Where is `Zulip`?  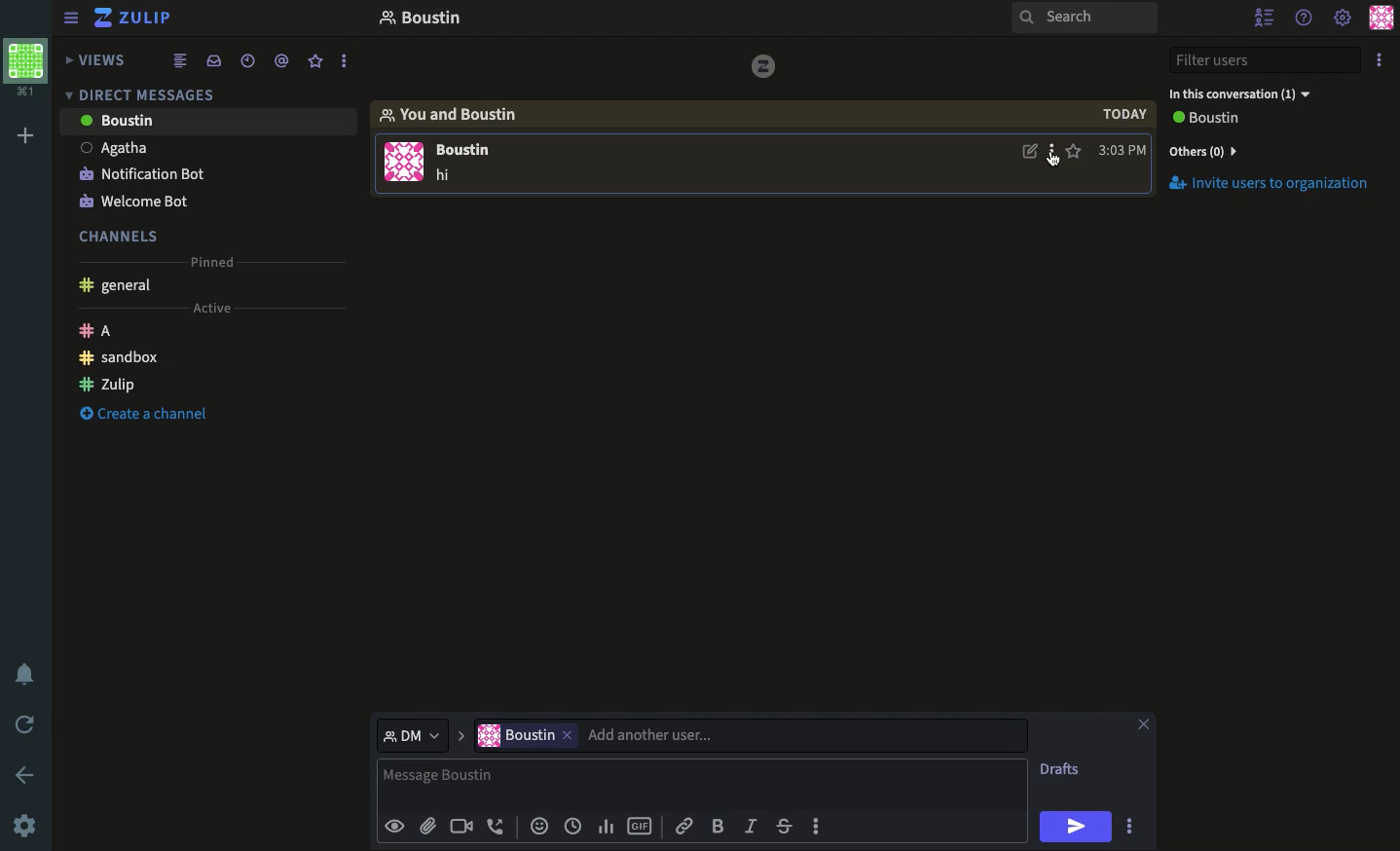 Zulip is located at coordinates (133, 18).